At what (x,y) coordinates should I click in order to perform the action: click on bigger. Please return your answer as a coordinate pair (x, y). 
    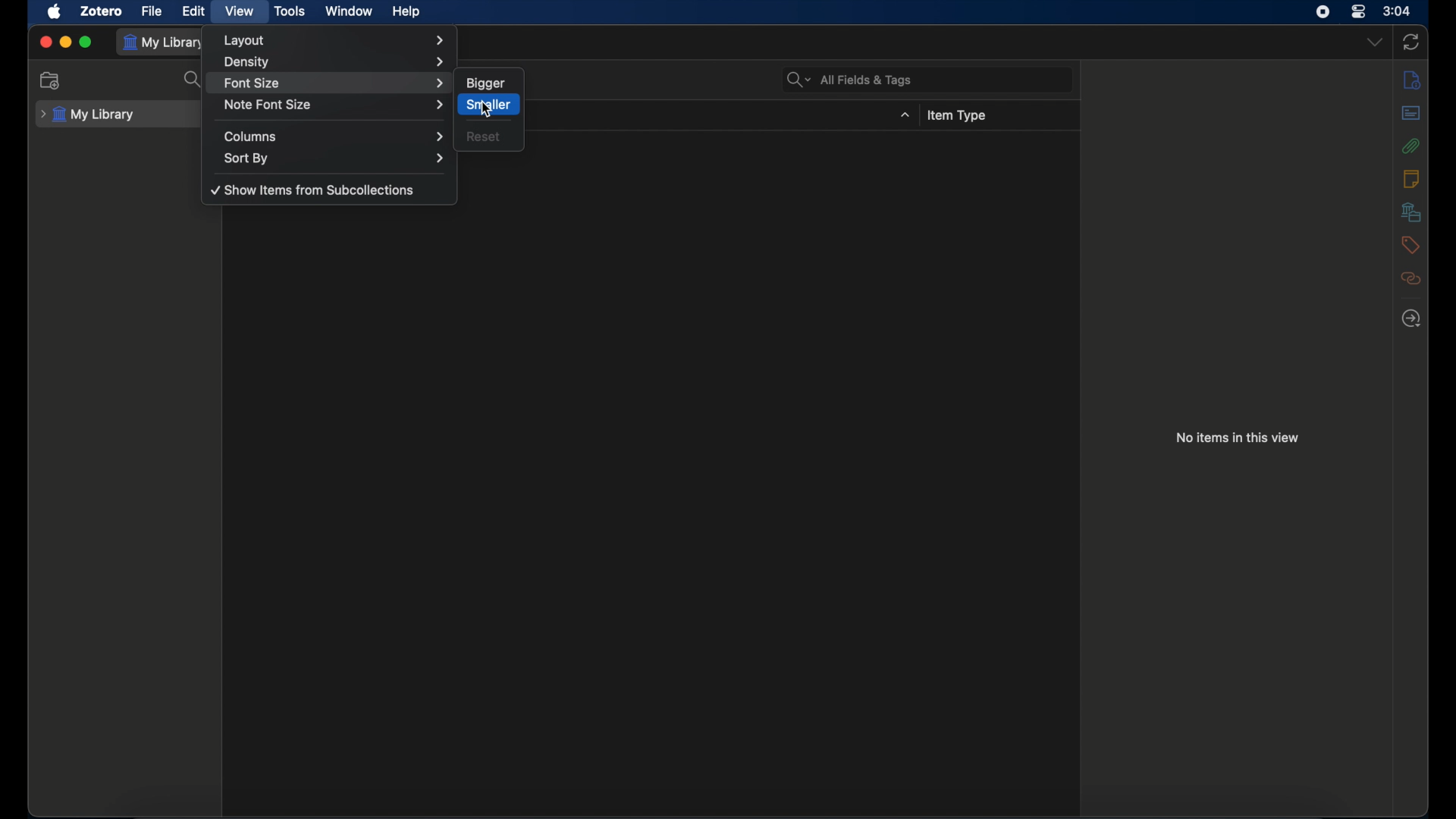
    Looking at the image, I should click on (485, 83).